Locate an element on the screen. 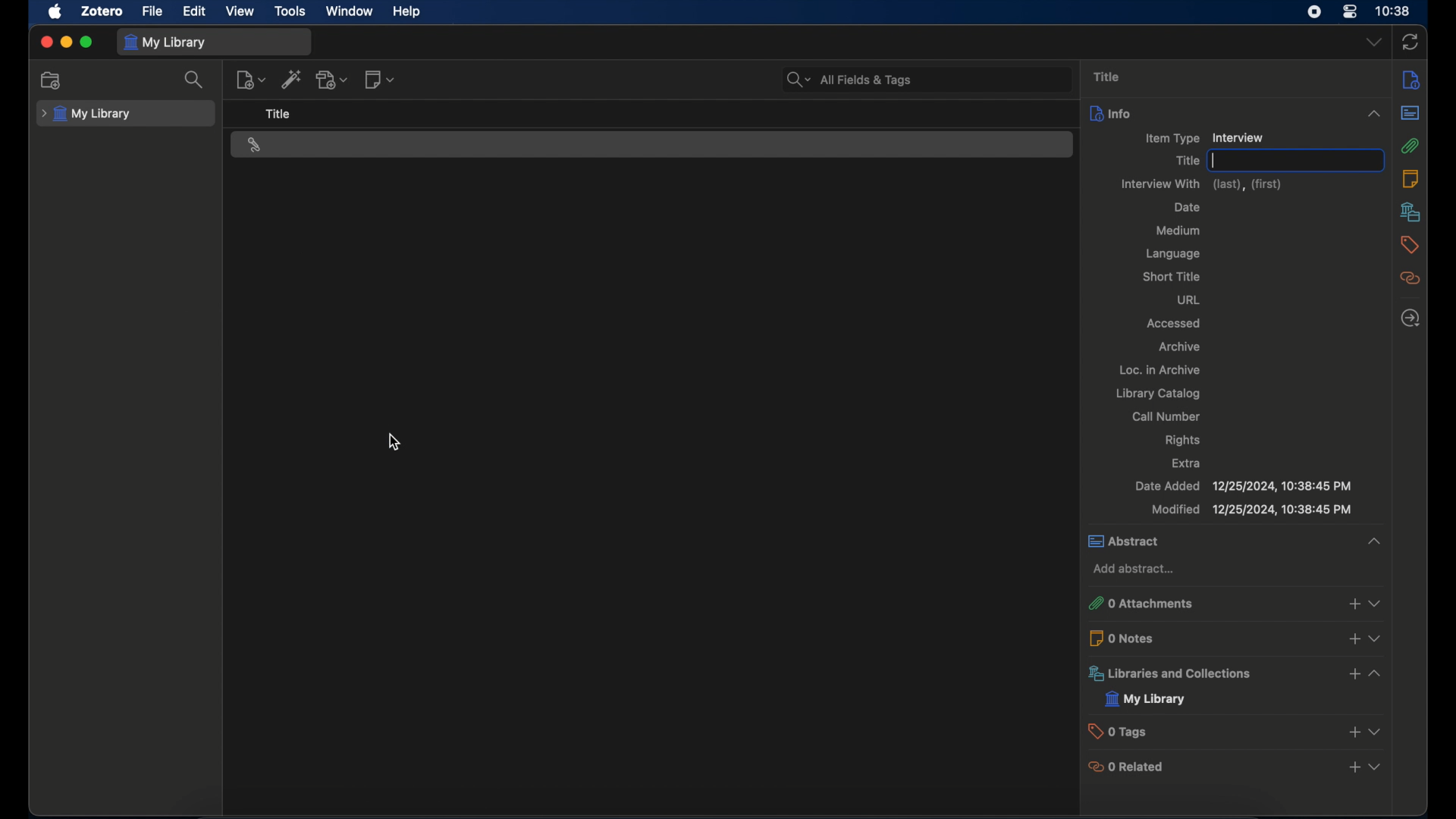 The image size is (1456, 819). add item by identifier is located at coordinates (291, 79).